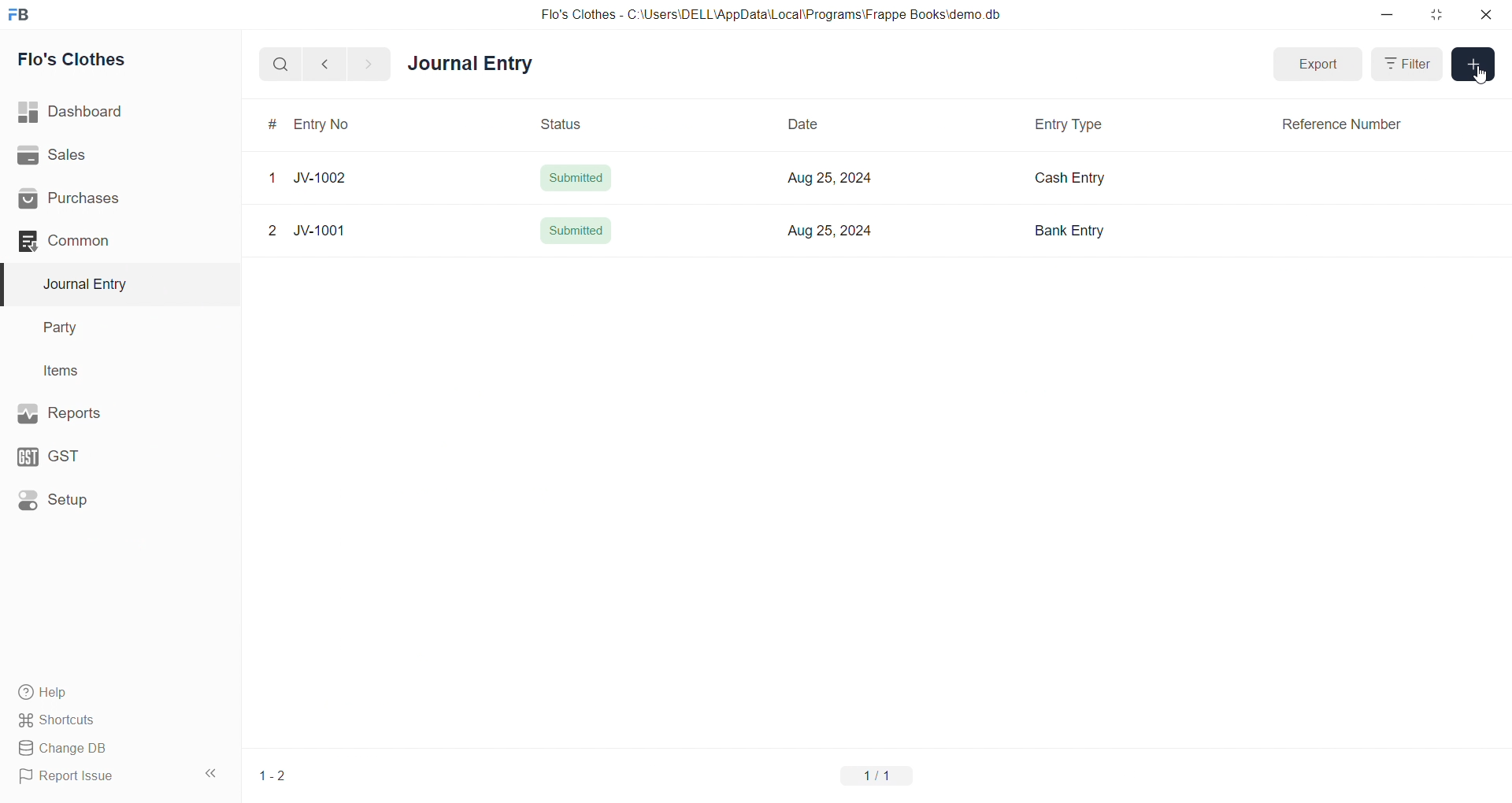 This screenshot has height=803, width=1512. I want to click on navigate backward, so click(332, 62).